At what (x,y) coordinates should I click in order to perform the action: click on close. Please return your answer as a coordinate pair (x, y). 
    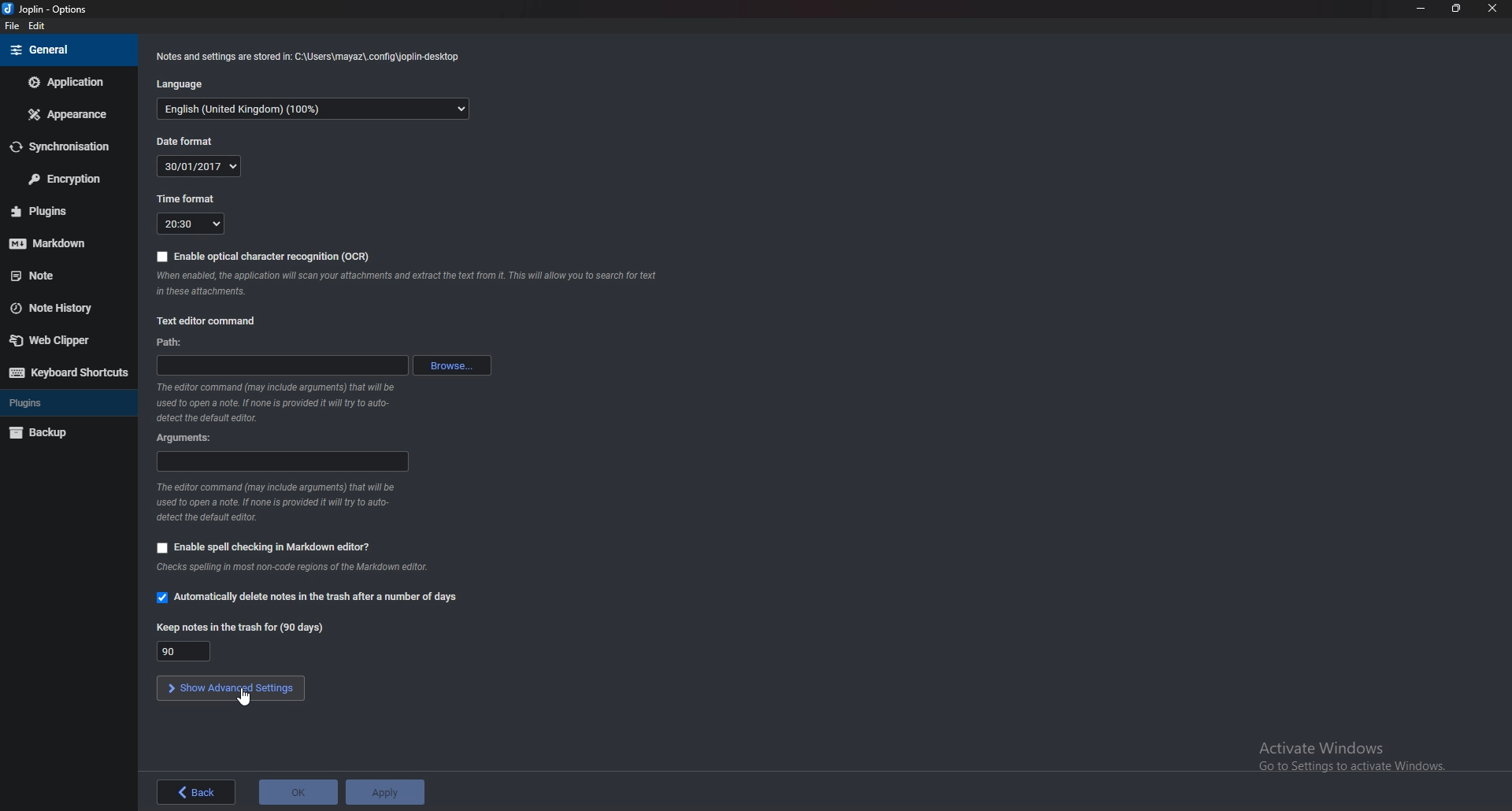
    Looking at the image, I should click on (1492, 9).